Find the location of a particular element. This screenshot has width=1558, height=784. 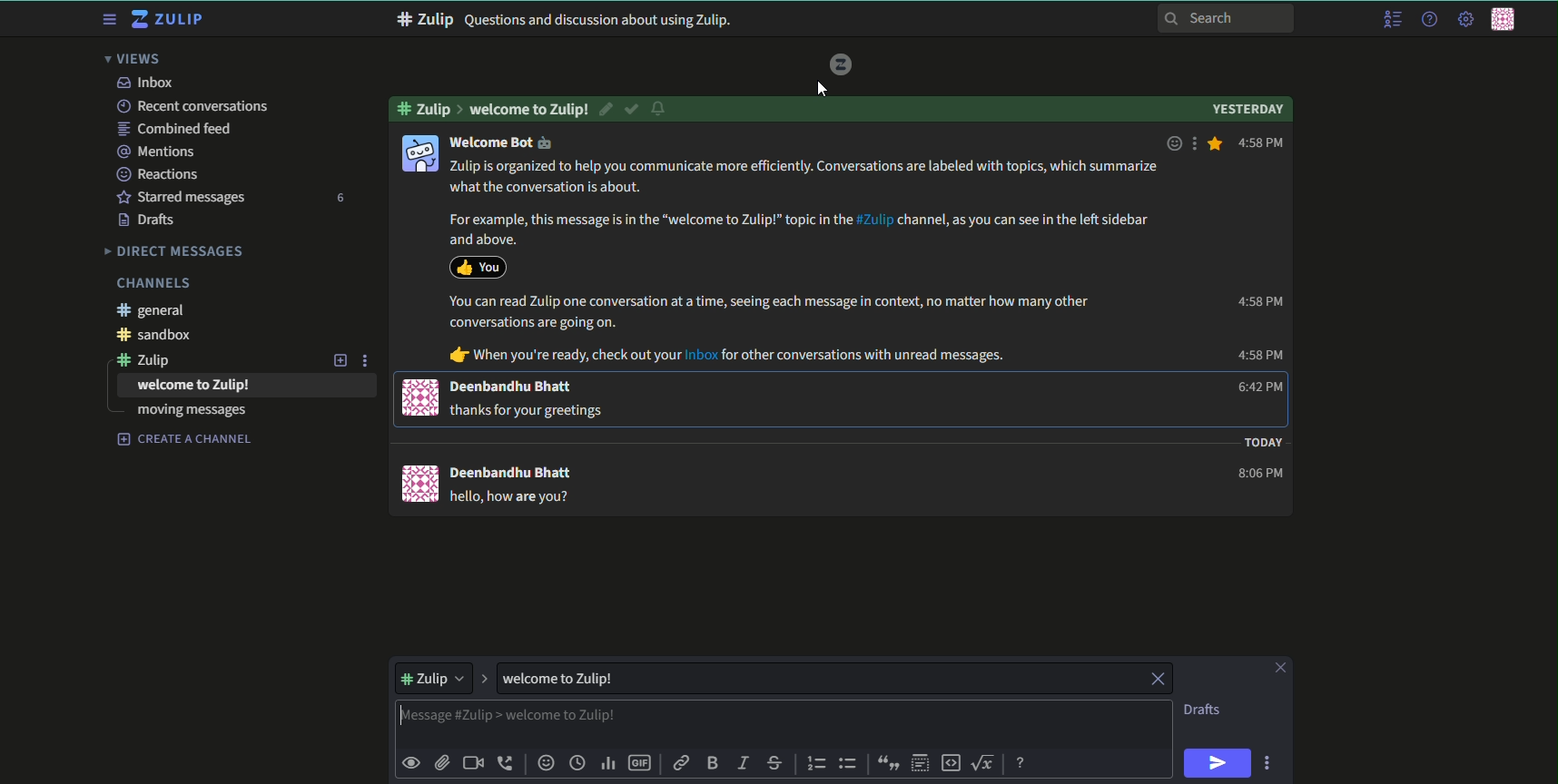

dr When you're ready, check out your Inbox for other conversations with unread messages. is located at coordinates (725, 356).